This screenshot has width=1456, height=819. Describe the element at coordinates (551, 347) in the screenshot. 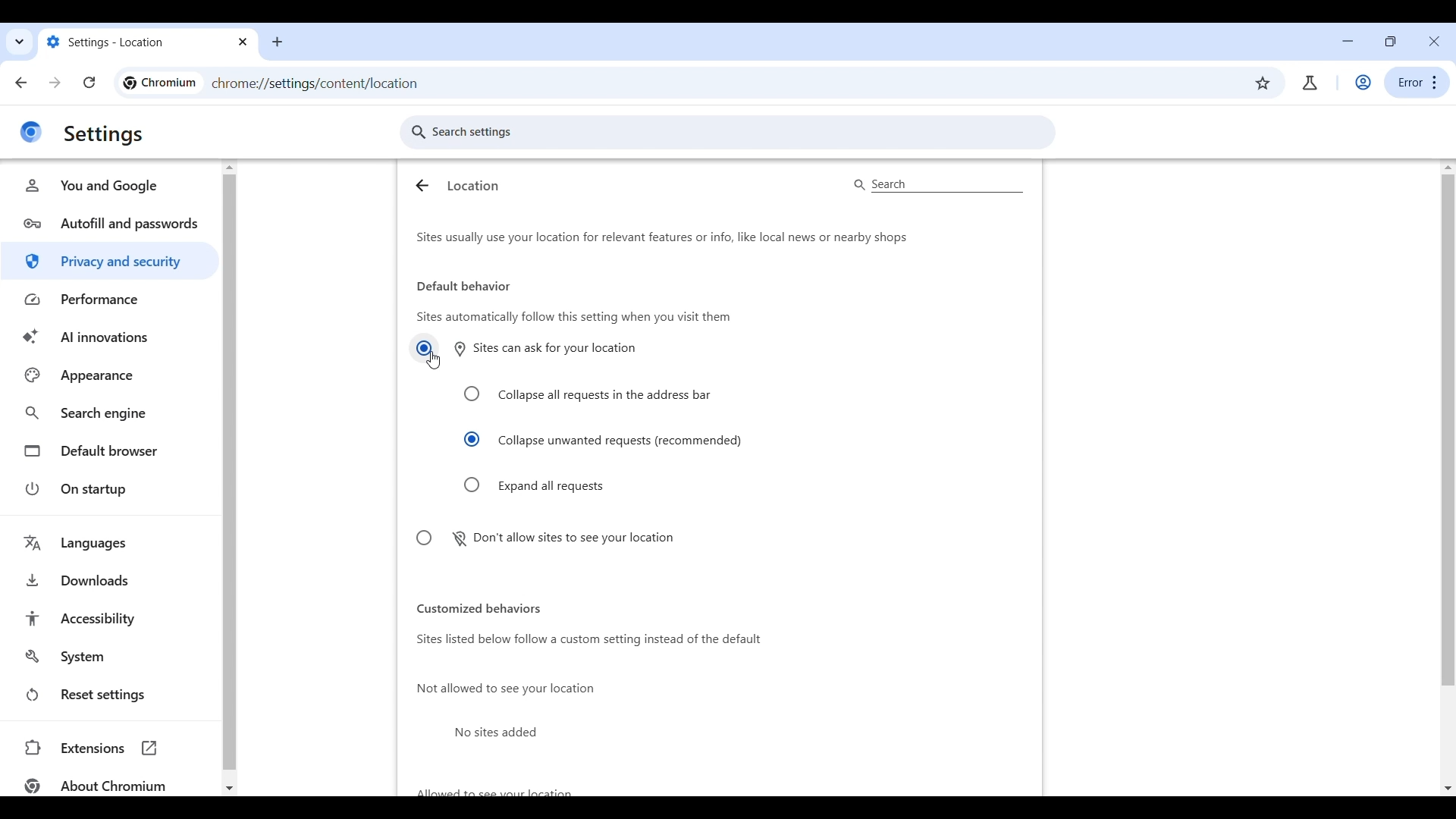

I see `sites can ask for your location ` at that location.